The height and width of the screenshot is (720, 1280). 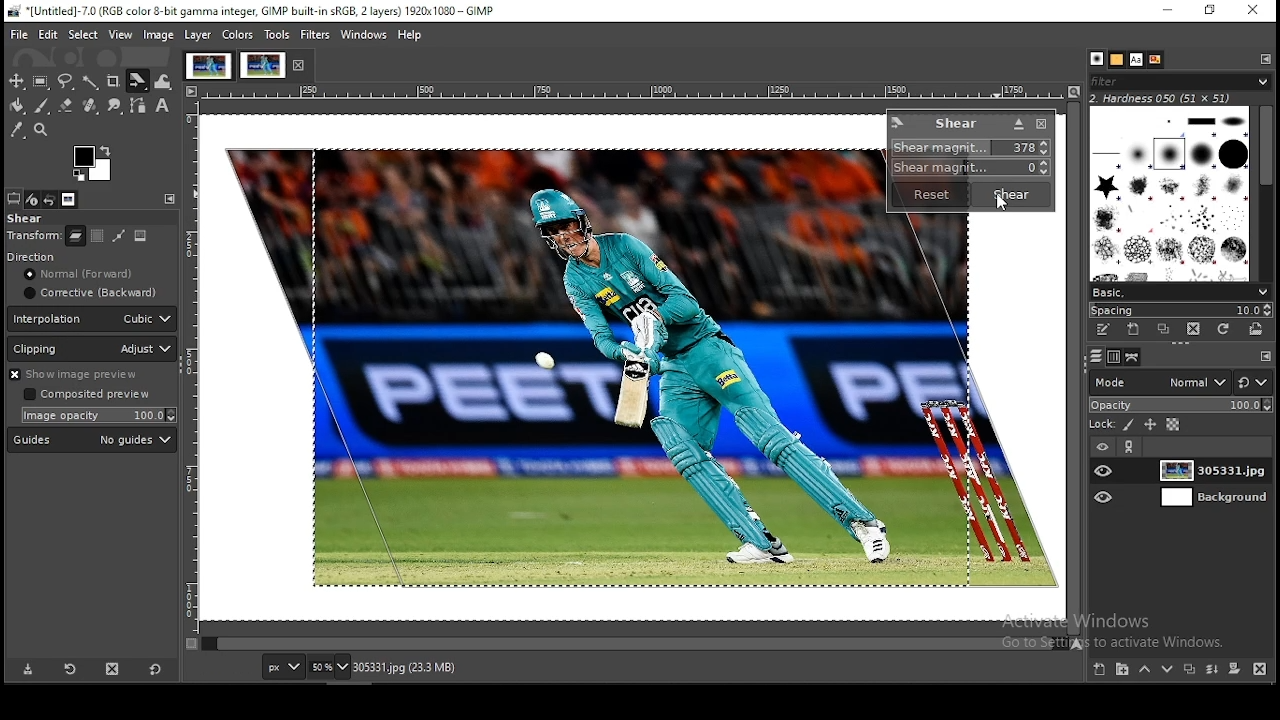 What do you see at coordinates (13, 199) in the screenshot?
I see `tool options` at bounding box center [13, 199].